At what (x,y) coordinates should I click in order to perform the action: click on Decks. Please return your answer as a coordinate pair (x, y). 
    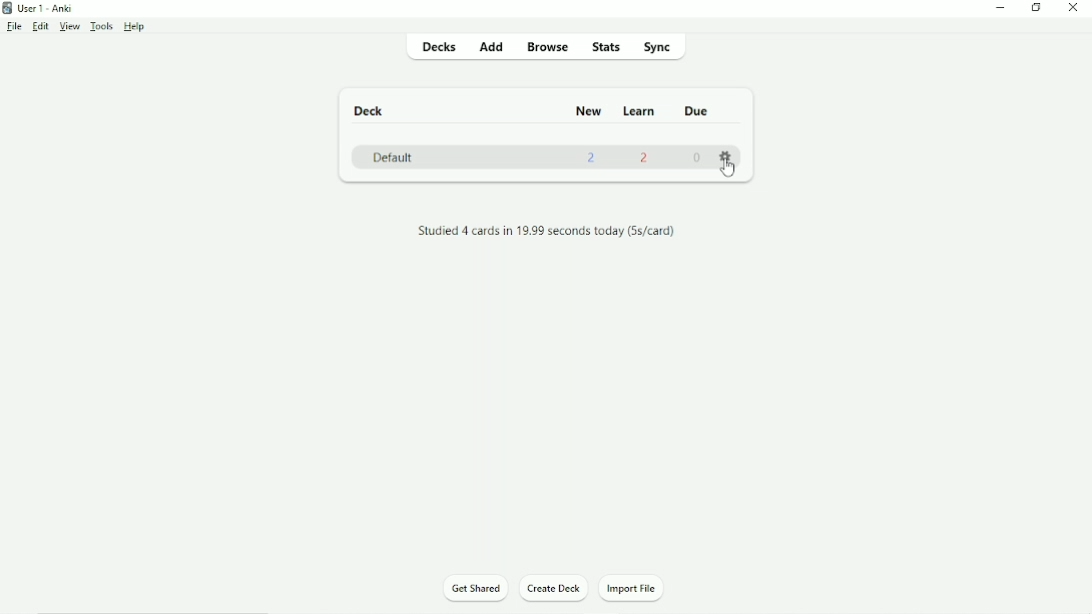
    Looking at the image, I should click on (432, 46).